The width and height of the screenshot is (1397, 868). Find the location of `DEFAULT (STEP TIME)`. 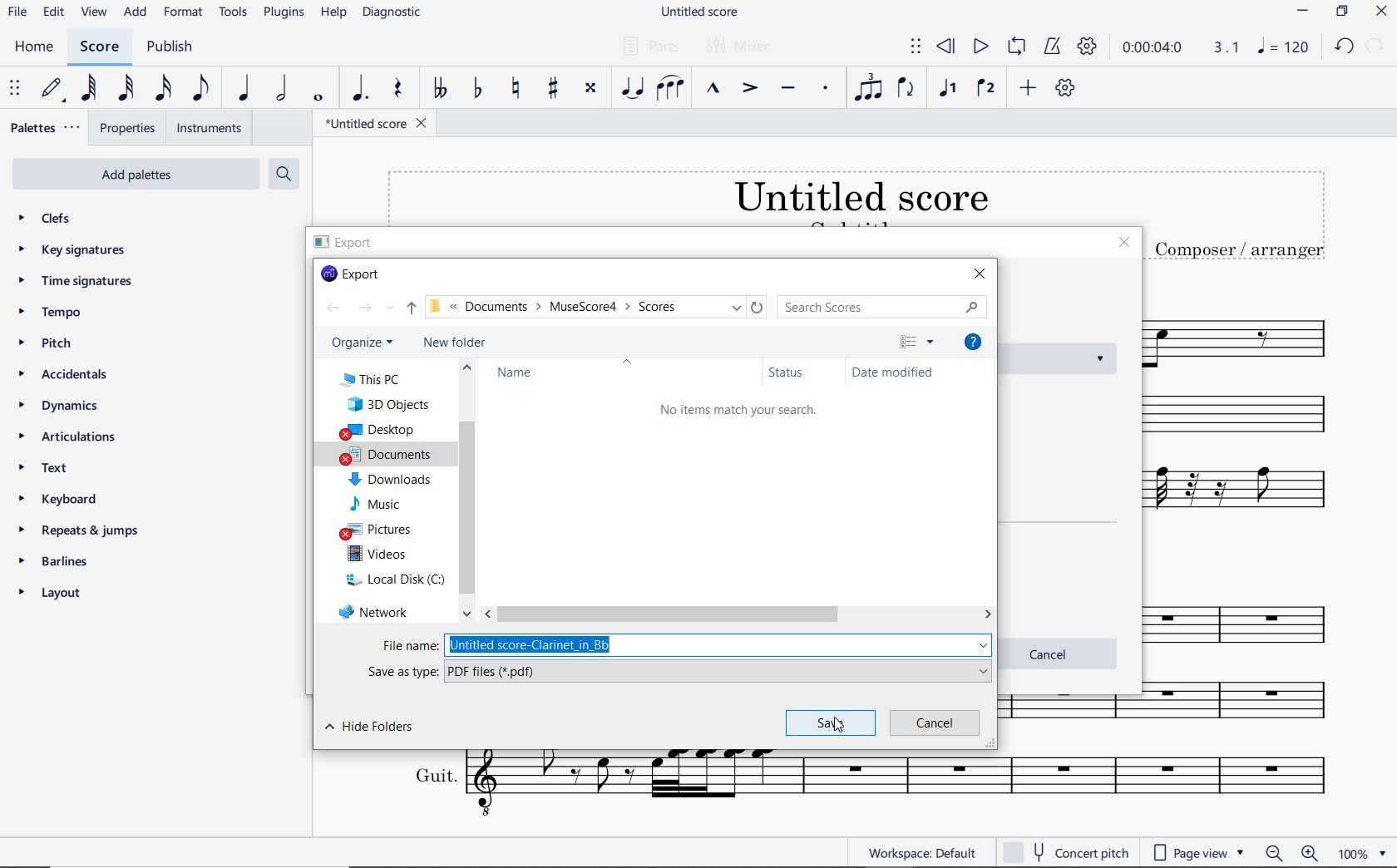

DEFAULT (STEP TIME) is located at coordinates (51, 89).